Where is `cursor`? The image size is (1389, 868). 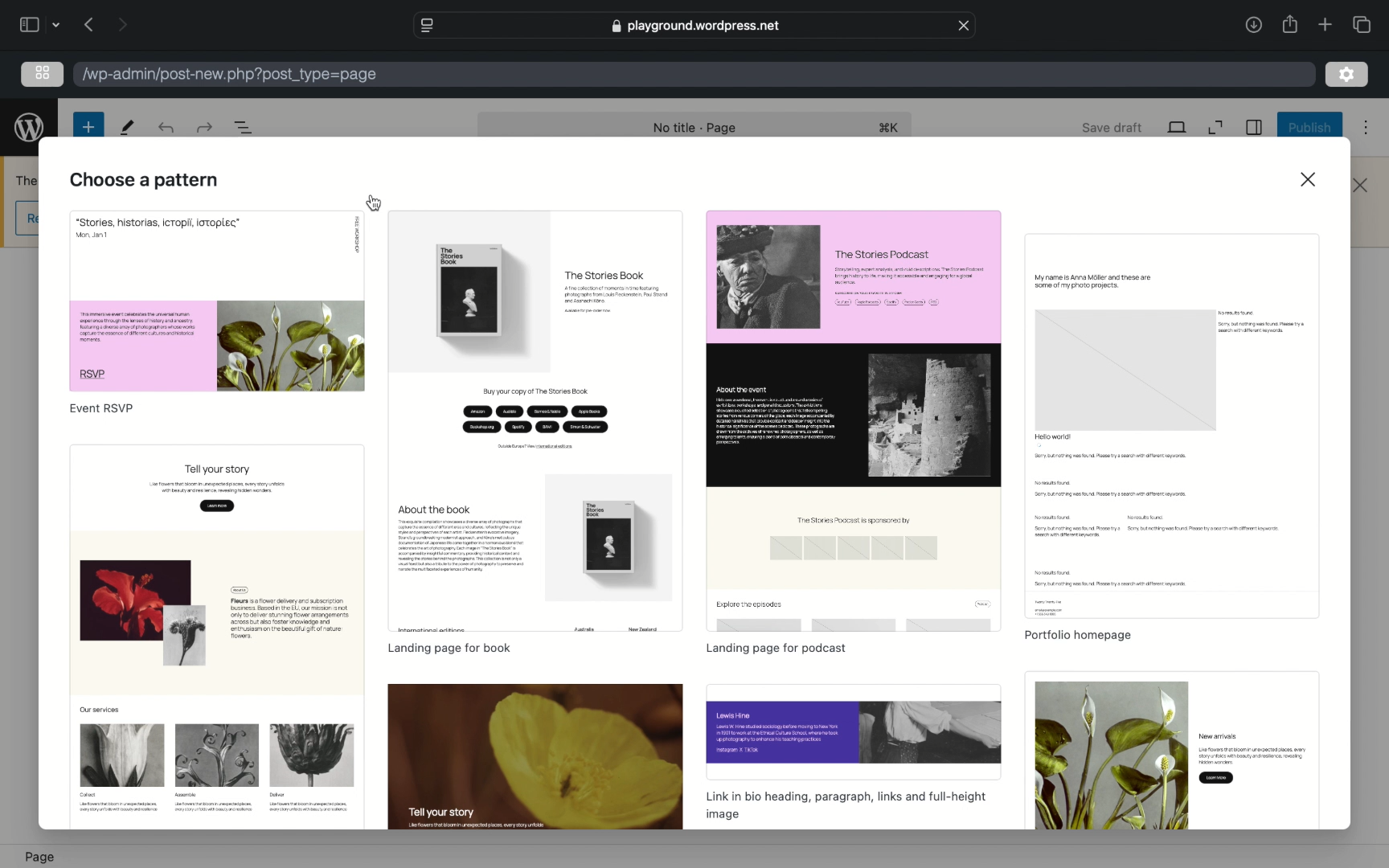 cursor is located at coordinates (373, 203).